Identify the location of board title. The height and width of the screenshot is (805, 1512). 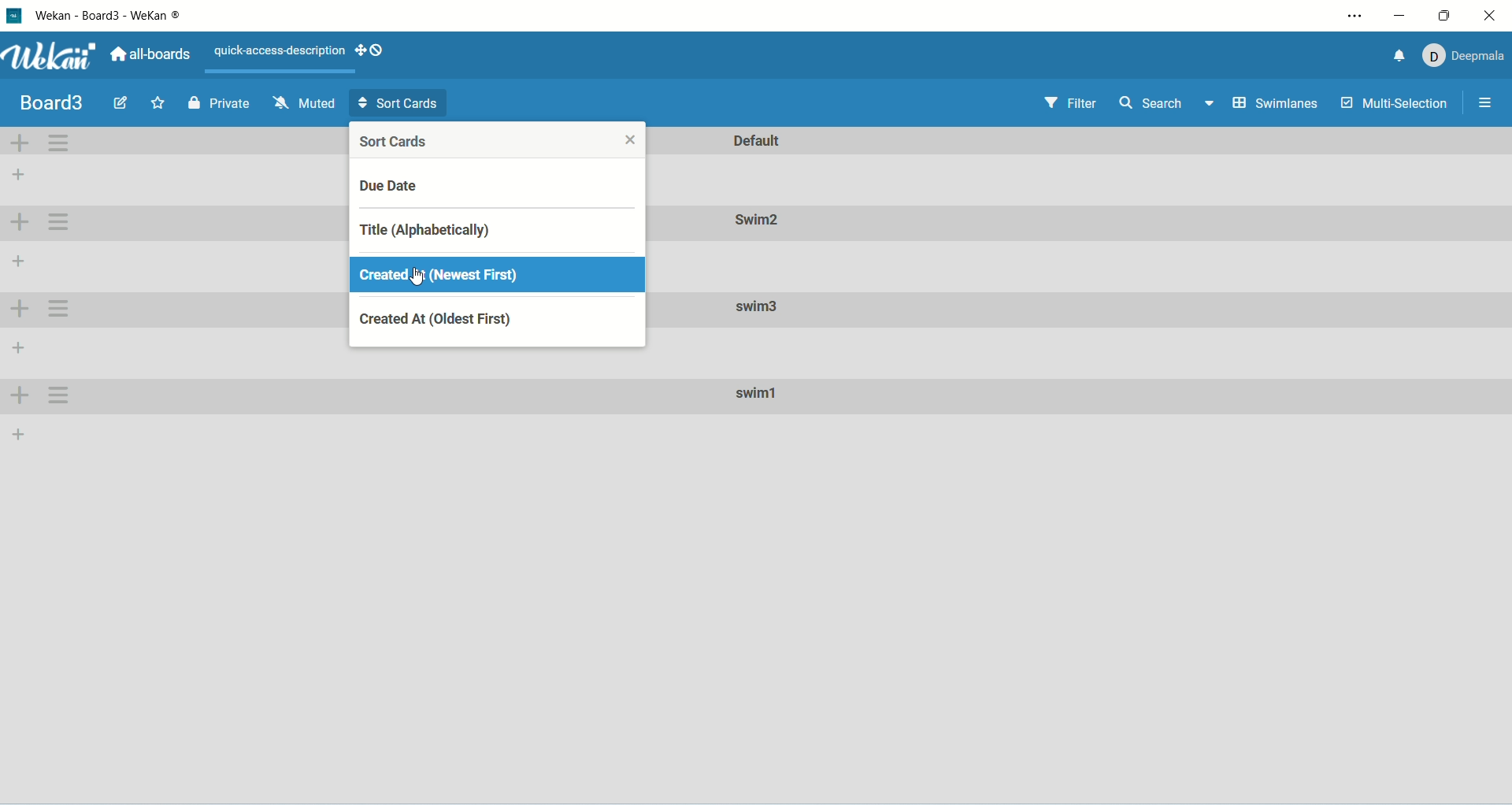
(56, 103).